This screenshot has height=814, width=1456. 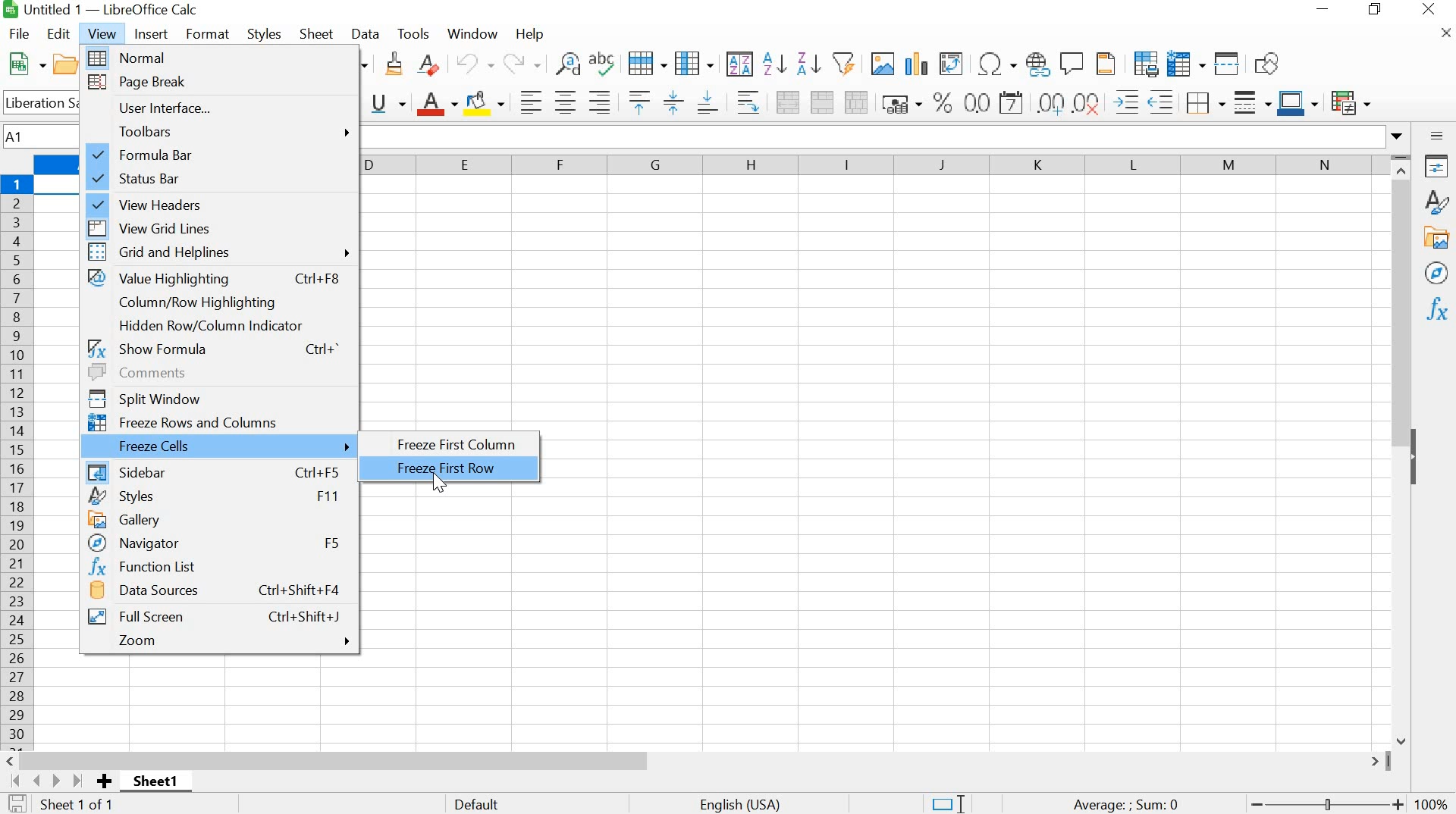 What do you see at coordinates (977, 102) in the screenshot?
I see `FORMAT AS NUMBER` at bounding box center [977, 102].